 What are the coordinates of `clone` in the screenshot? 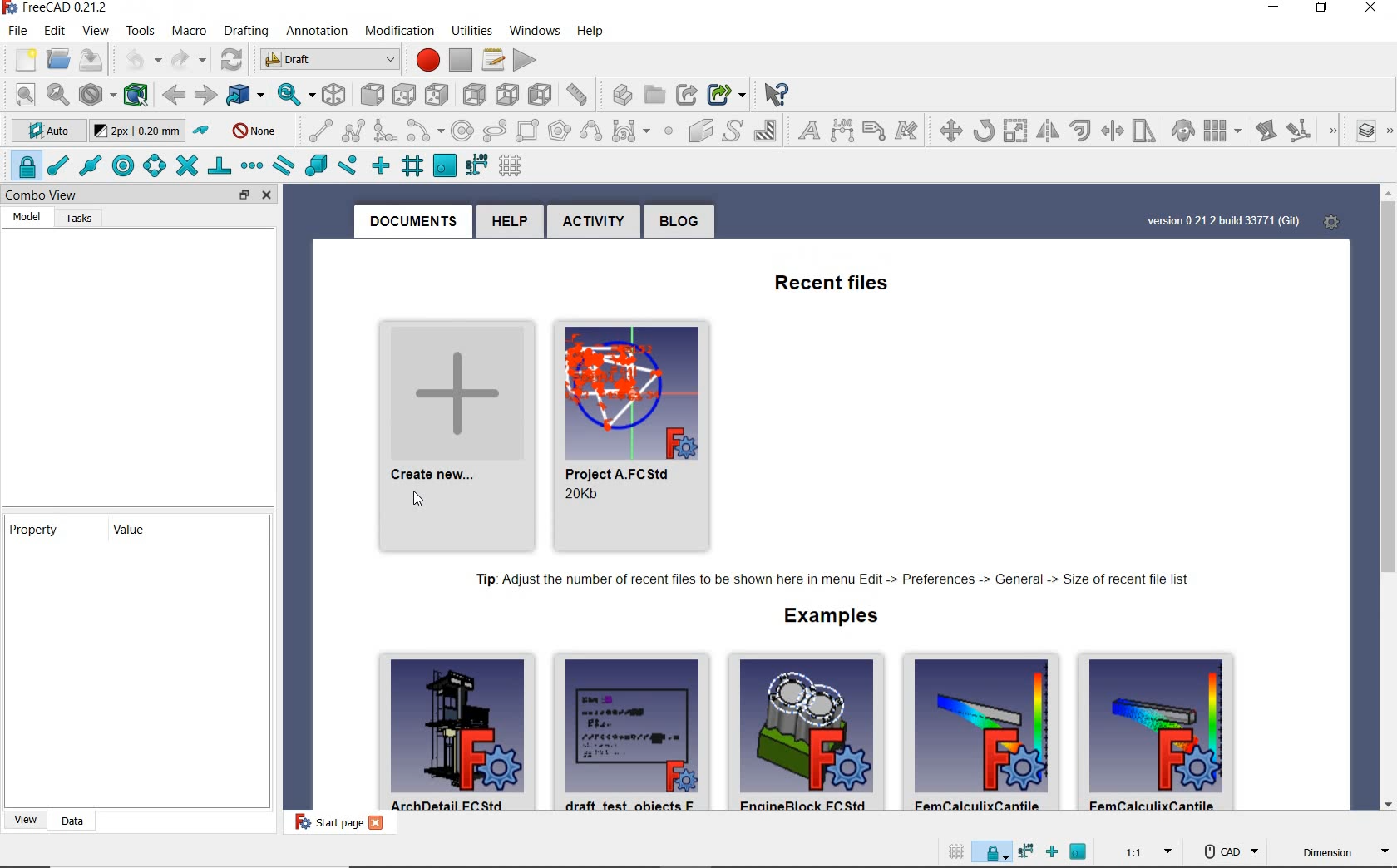 It's located at (1181, 131).